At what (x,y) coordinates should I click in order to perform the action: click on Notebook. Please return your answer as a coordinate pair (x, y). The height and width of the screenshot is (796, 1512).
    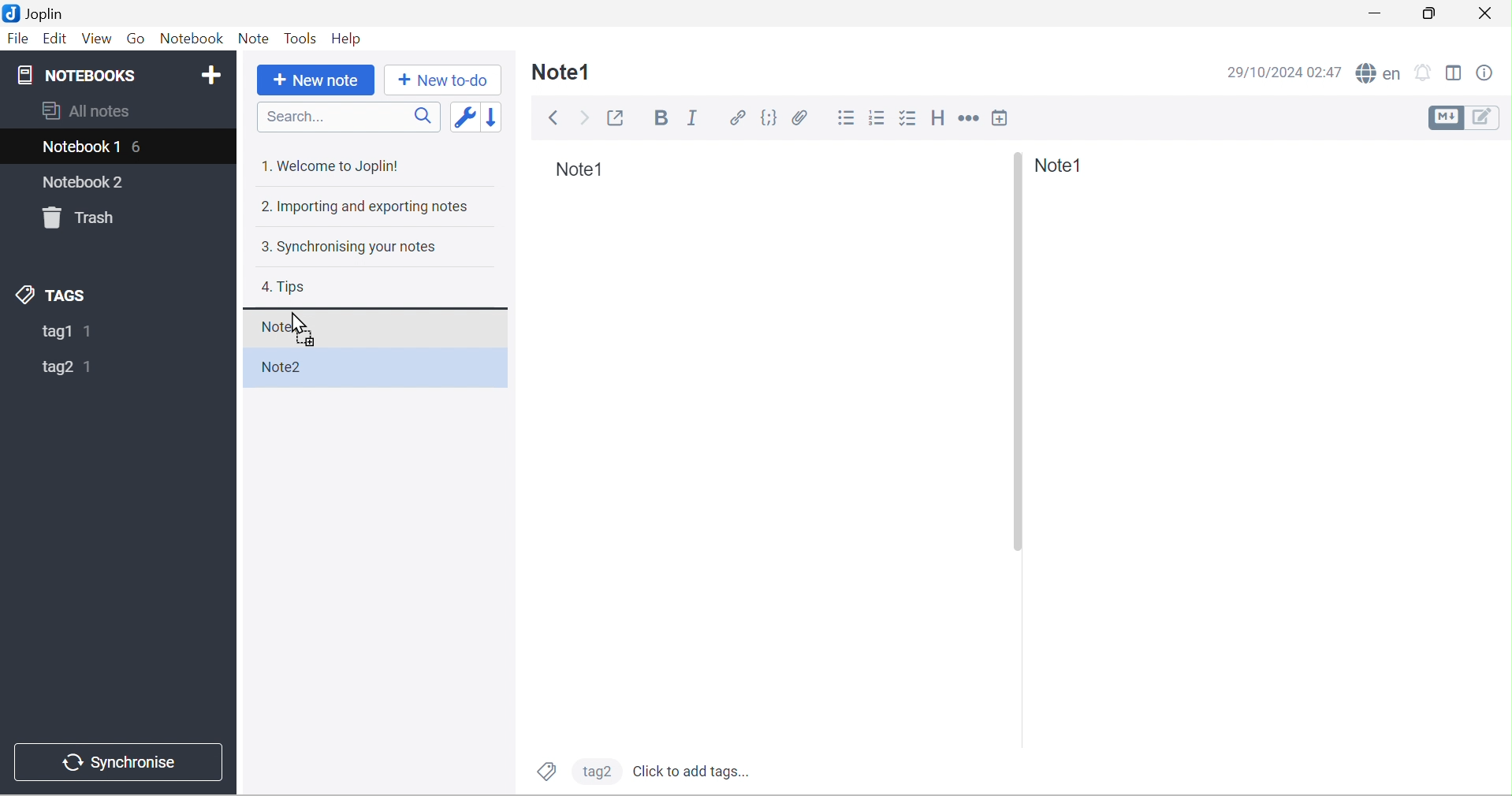
    Looking at the image, I should click on (192, 39).